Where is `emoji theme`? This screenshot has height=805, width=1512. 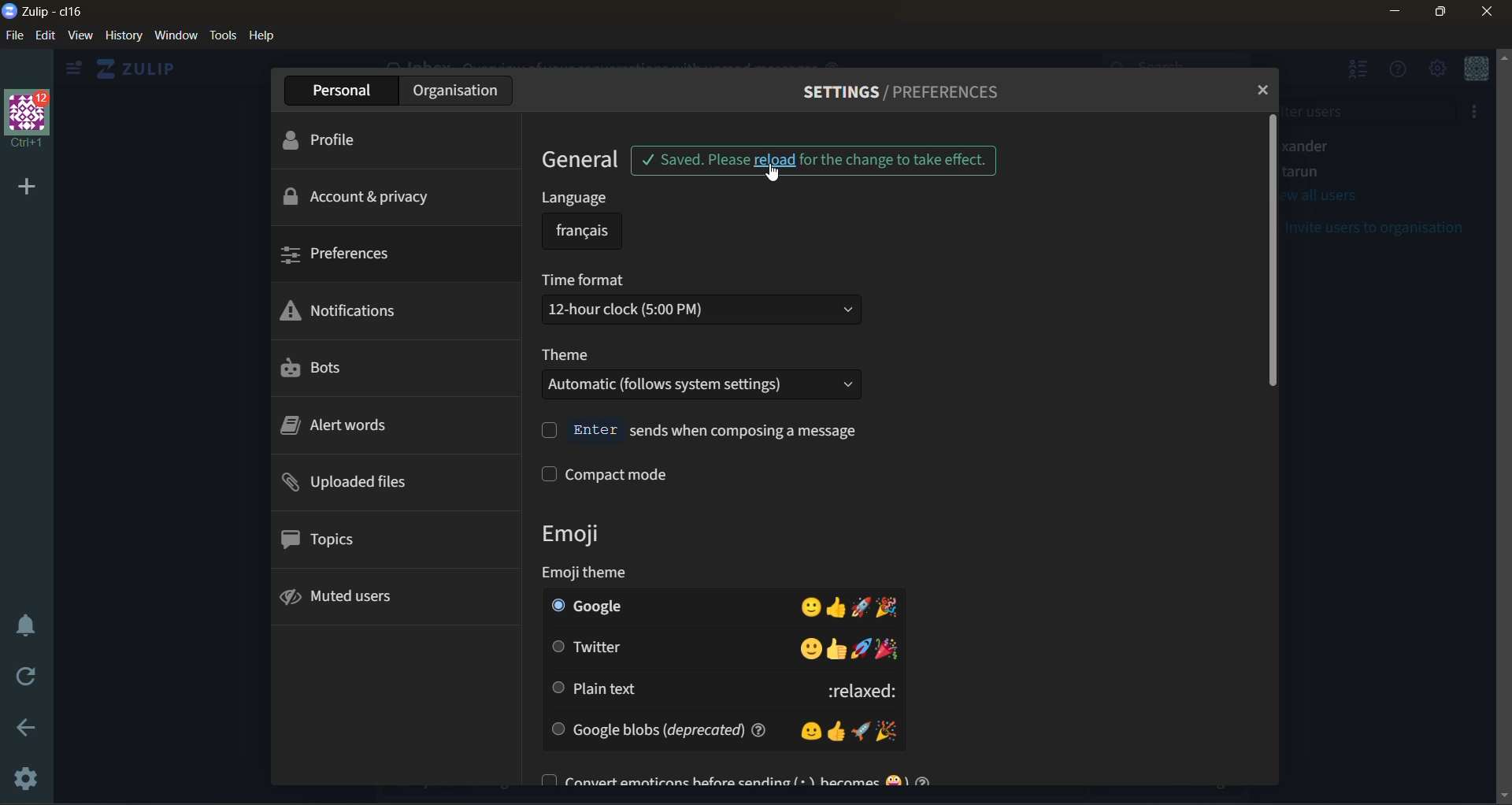 emoji theme is located at coordinates (658, 574).